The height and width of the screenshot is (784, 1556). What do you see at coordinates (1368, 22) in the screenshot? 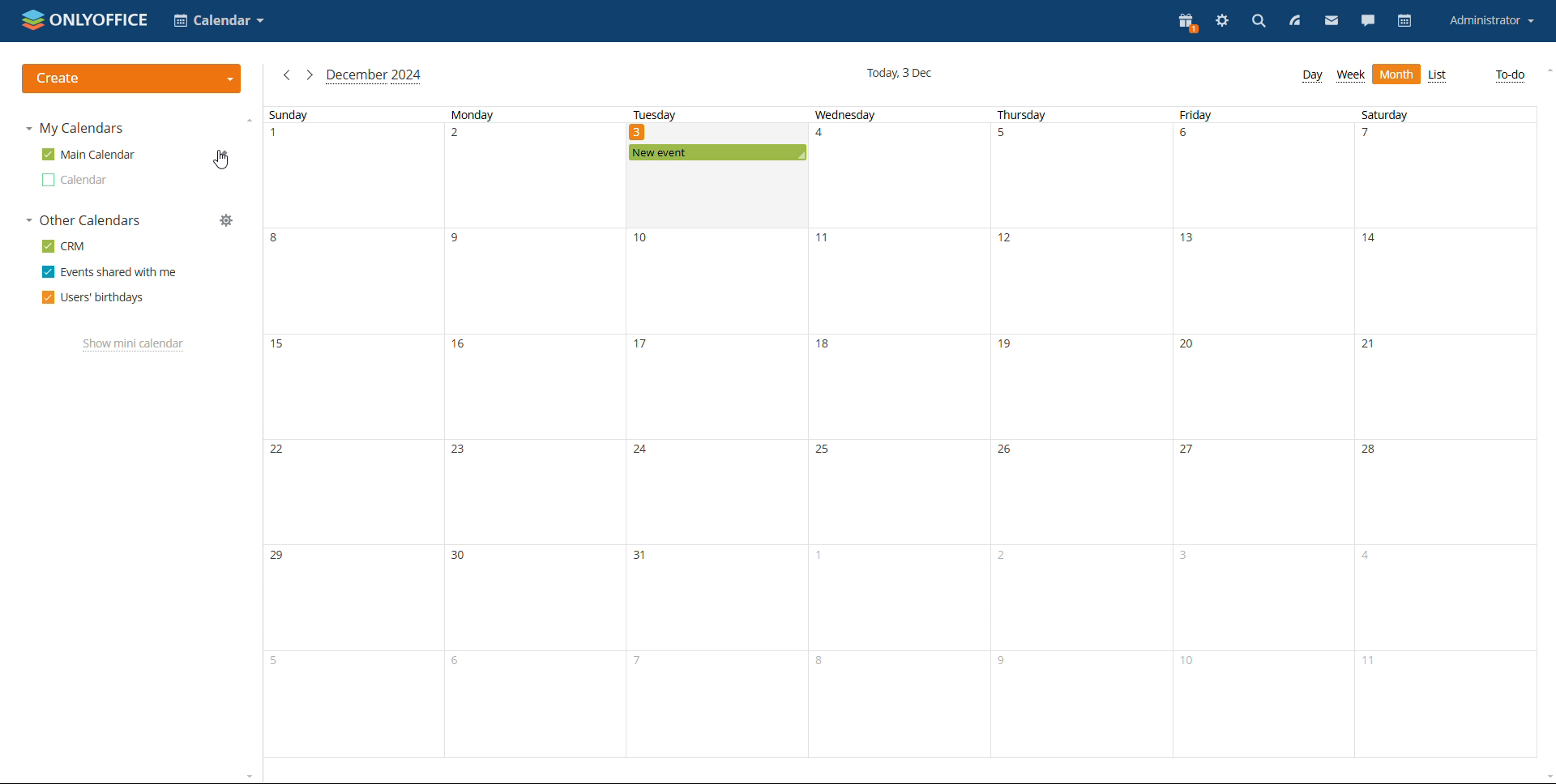
I see `chat` at bounding box center [1368, 22].